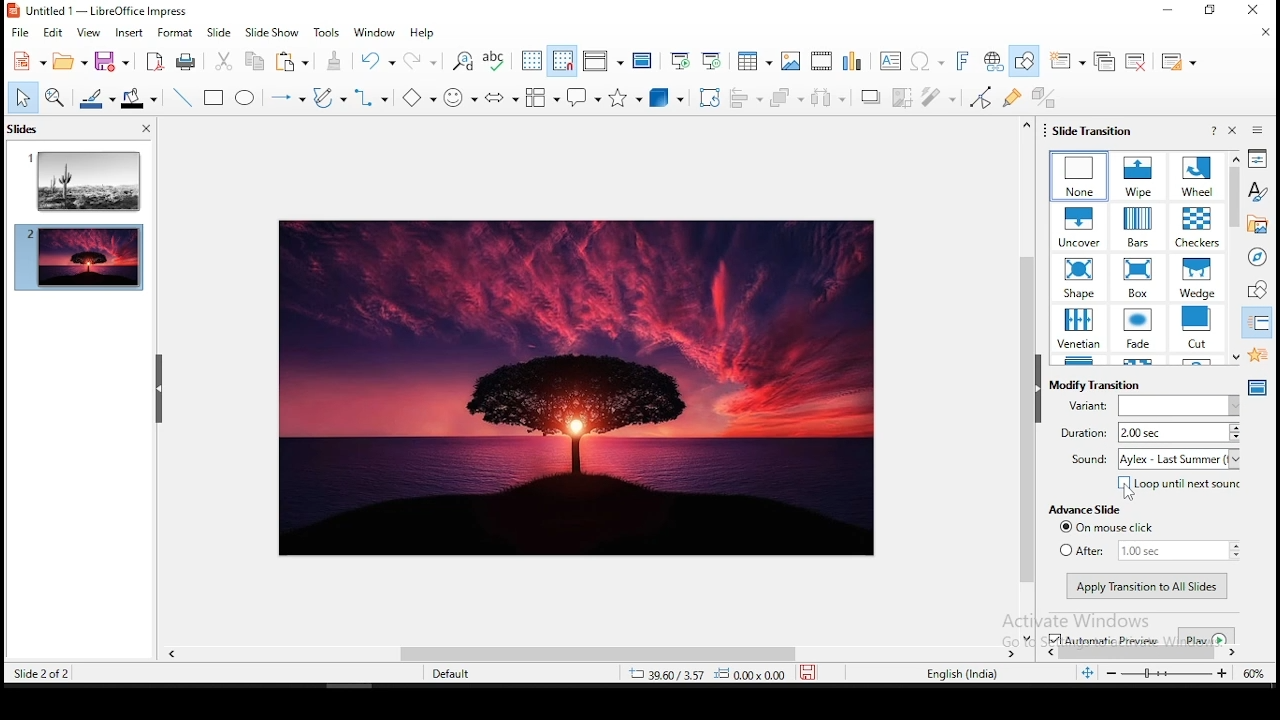  Describe the element at coordinates (543, 97) in the screenshot. I see `flowchart` at that location.